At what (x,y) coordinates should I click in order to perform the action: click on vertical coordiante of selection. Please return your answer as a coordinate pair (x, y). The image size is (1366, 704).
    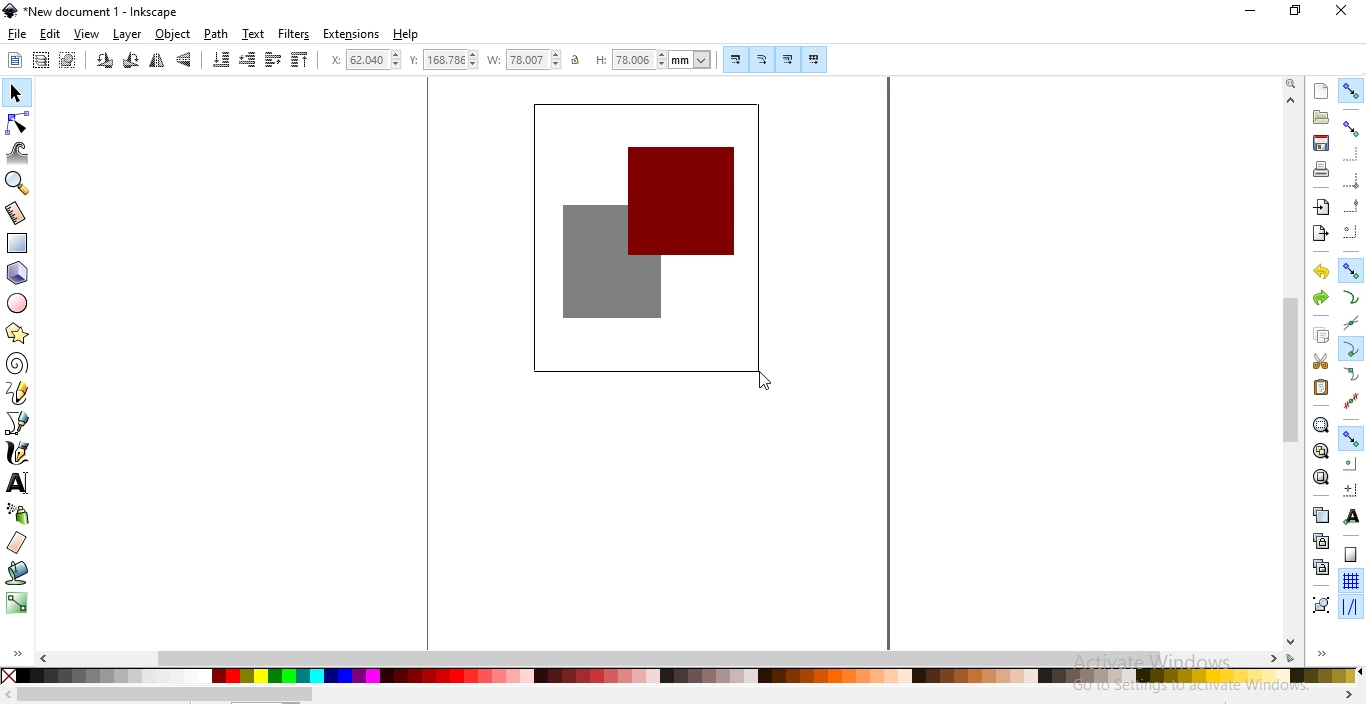
    Looking at the image, I should click on (444, 61).